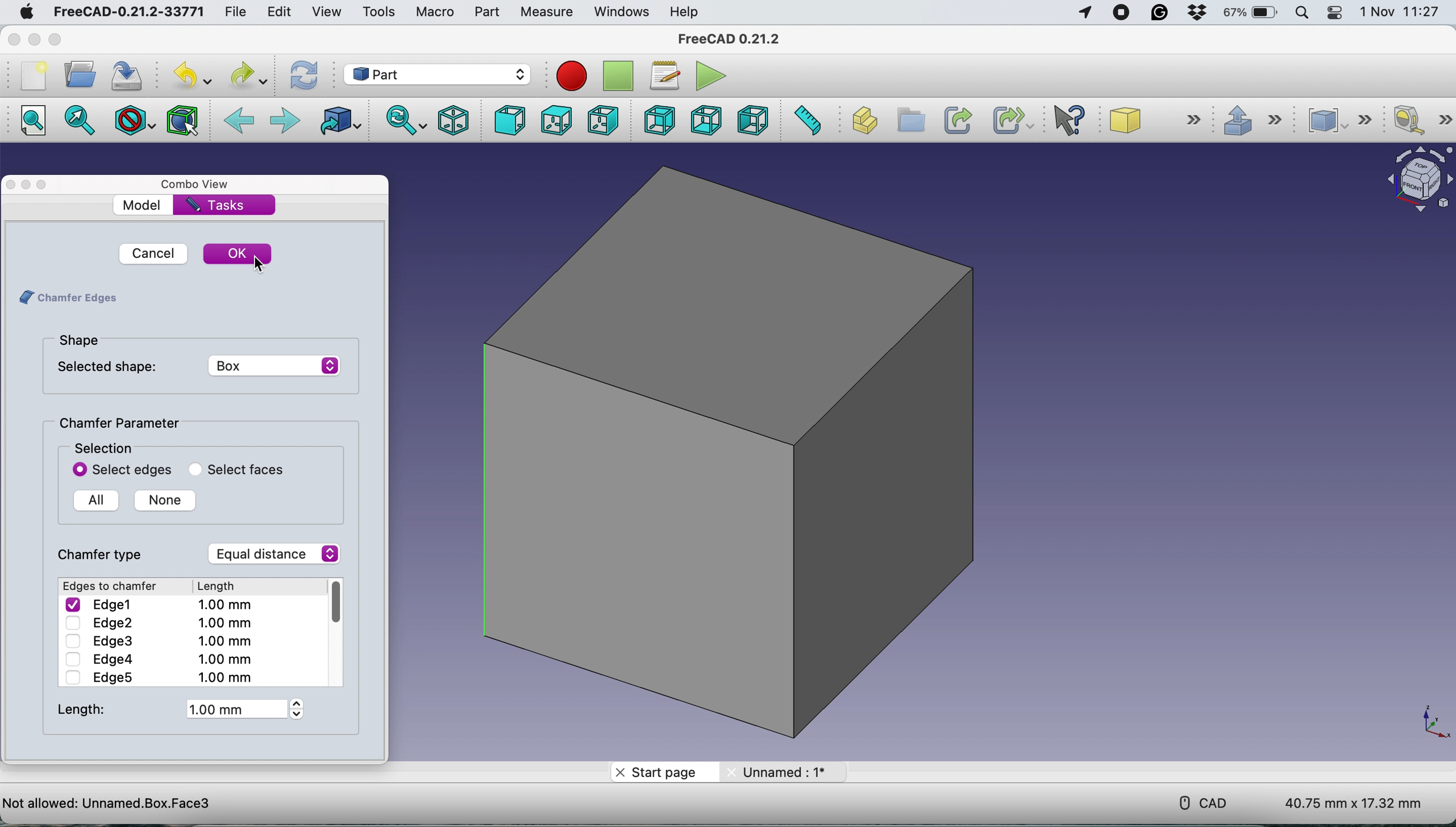 This screenshot has width=1456, height=827. Describe the element at coordinates (1418, 181) in the screenshot. I see `object interface` at that location.